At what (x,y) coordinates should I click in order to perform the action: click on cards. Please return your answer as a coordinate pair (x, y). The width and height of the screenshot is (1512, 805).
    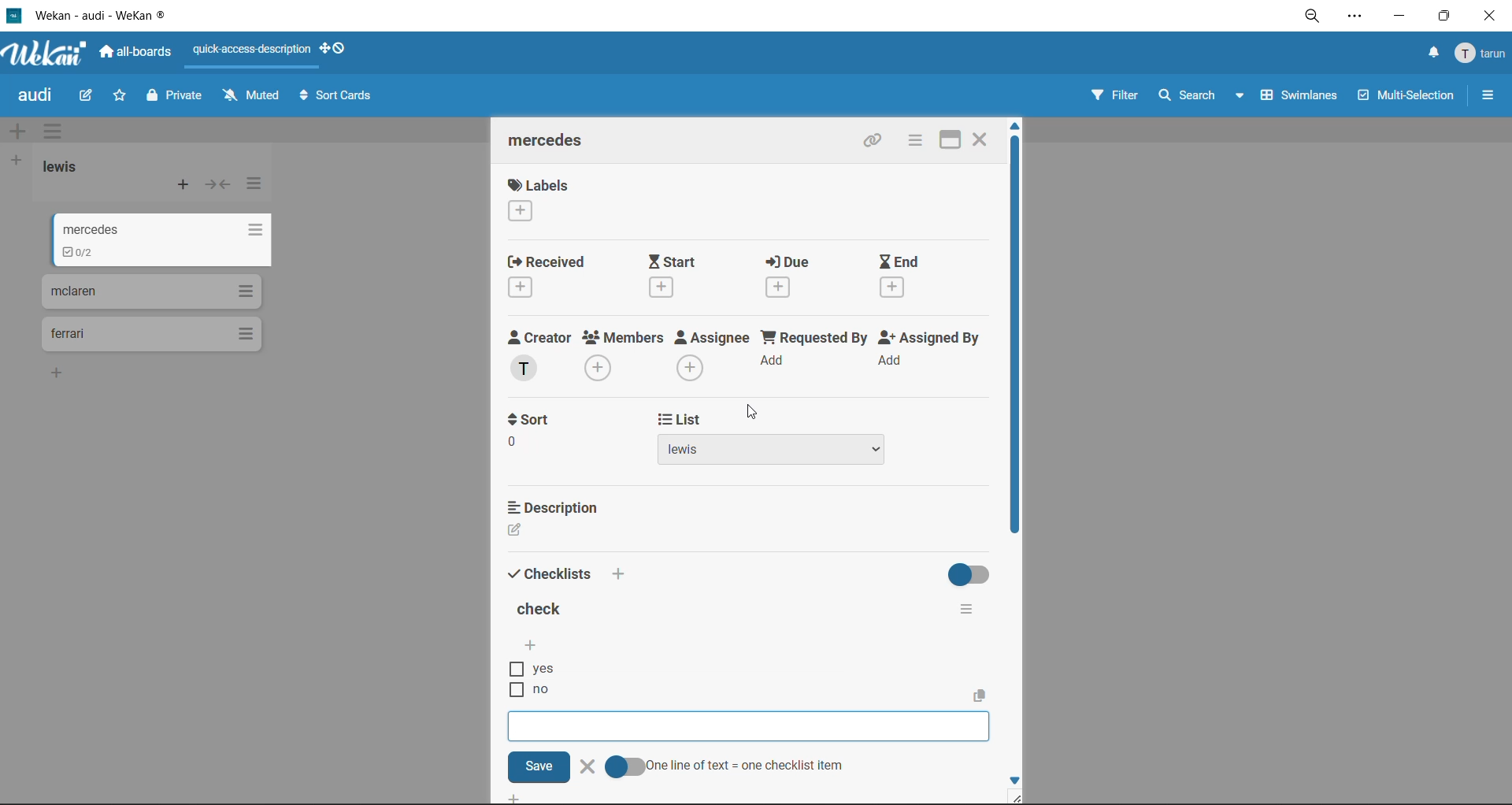
    Looking at the image, I should click on (150, 291).